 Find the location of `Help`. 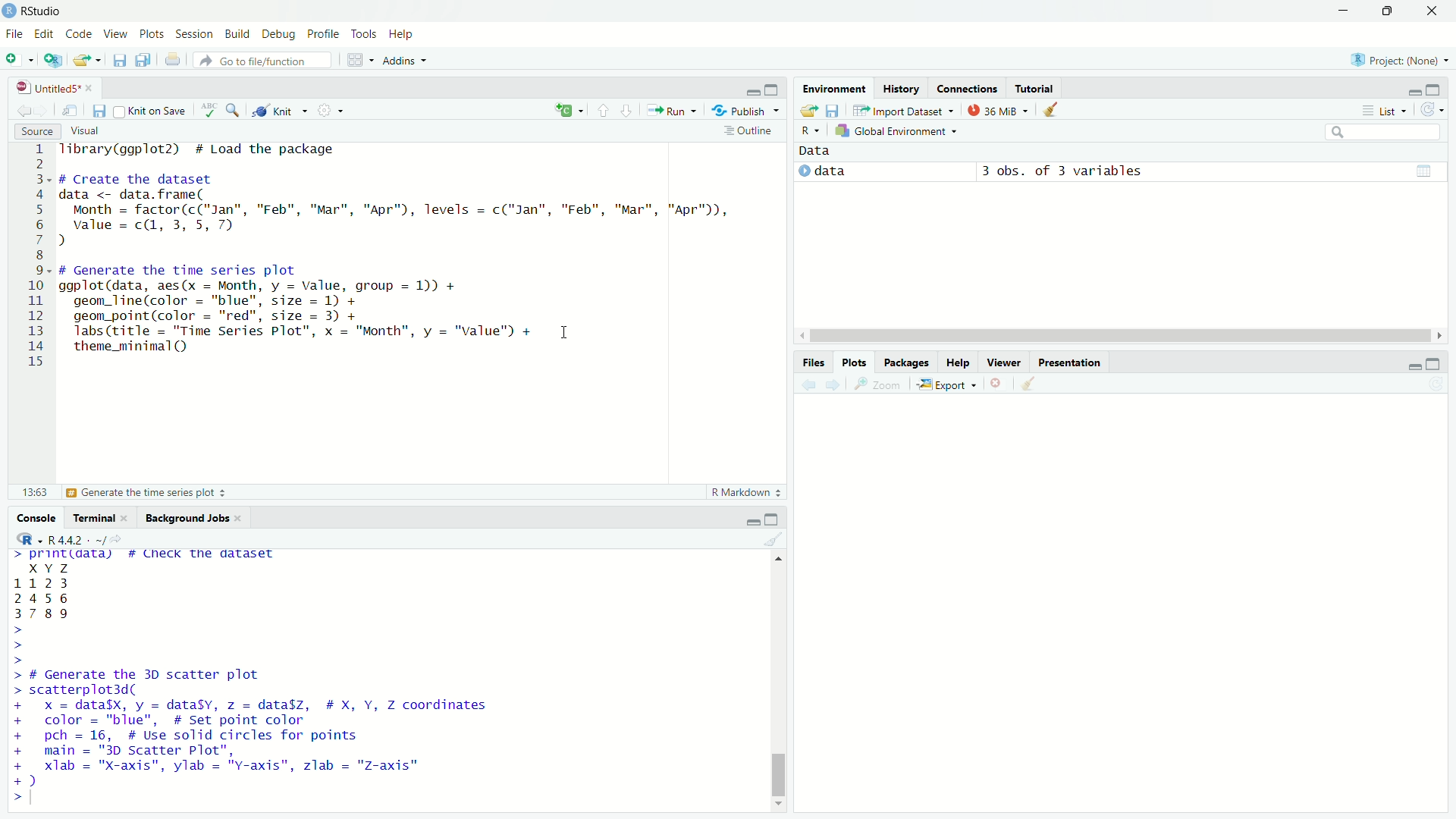

Help is located at coordinates (955, 362).